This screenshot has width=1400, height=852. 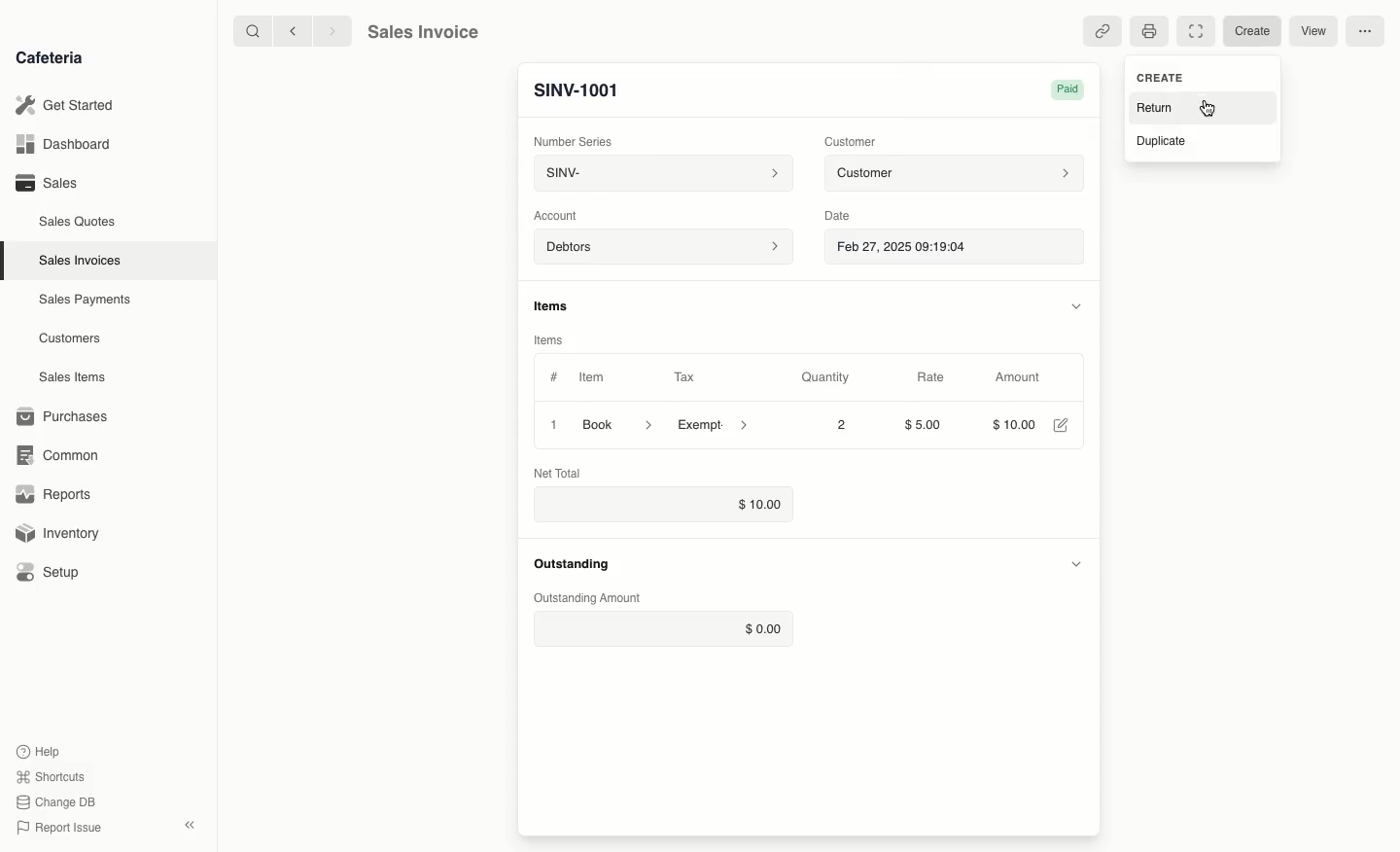 What do you see at coordinates (660, 173) in the screenshot?
I see `SINV-` at bounding box center [660, 173].